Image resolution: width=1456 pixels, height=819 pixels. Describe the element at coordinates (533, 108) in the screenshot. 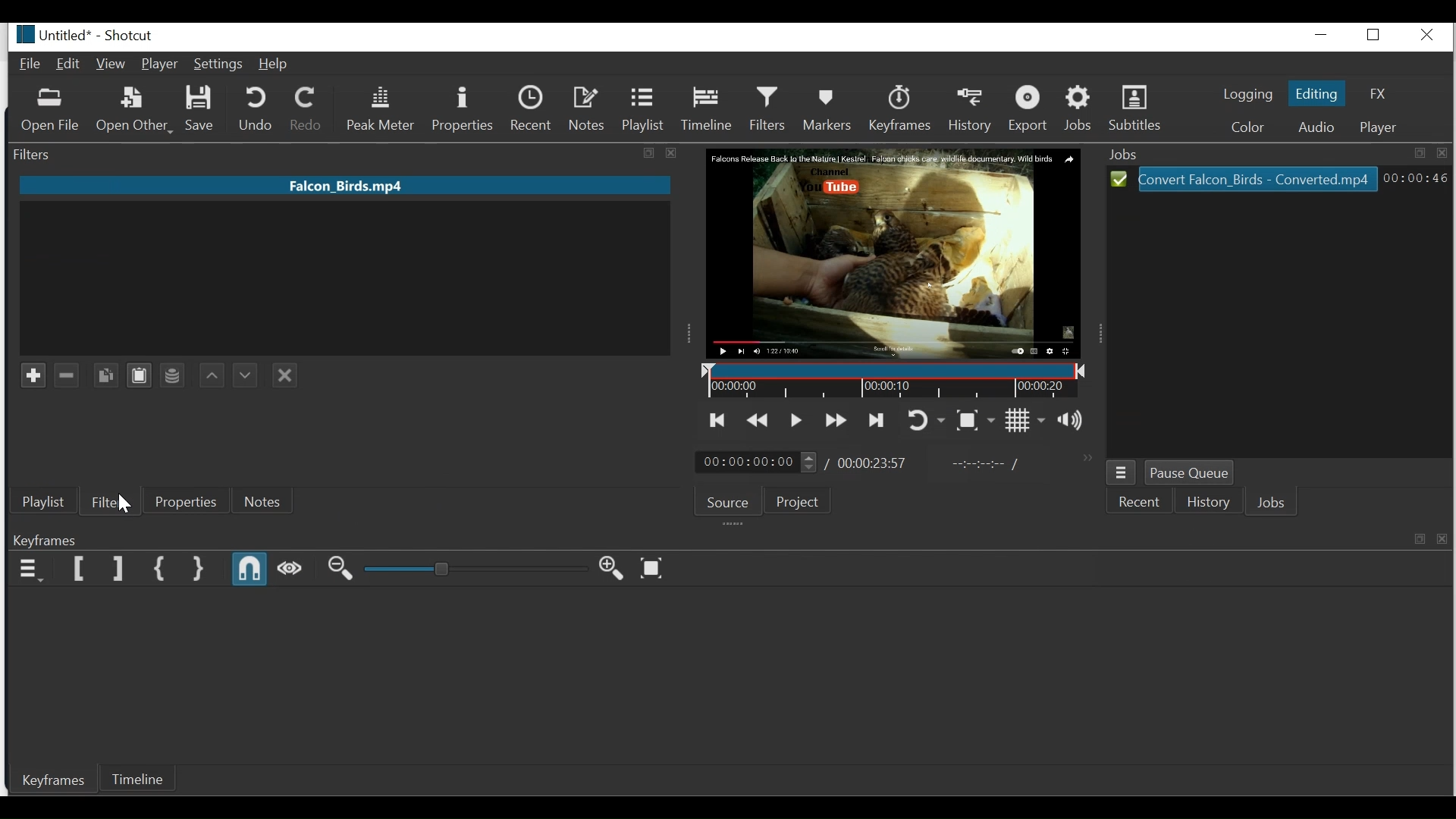

I see `Recent` at that location.